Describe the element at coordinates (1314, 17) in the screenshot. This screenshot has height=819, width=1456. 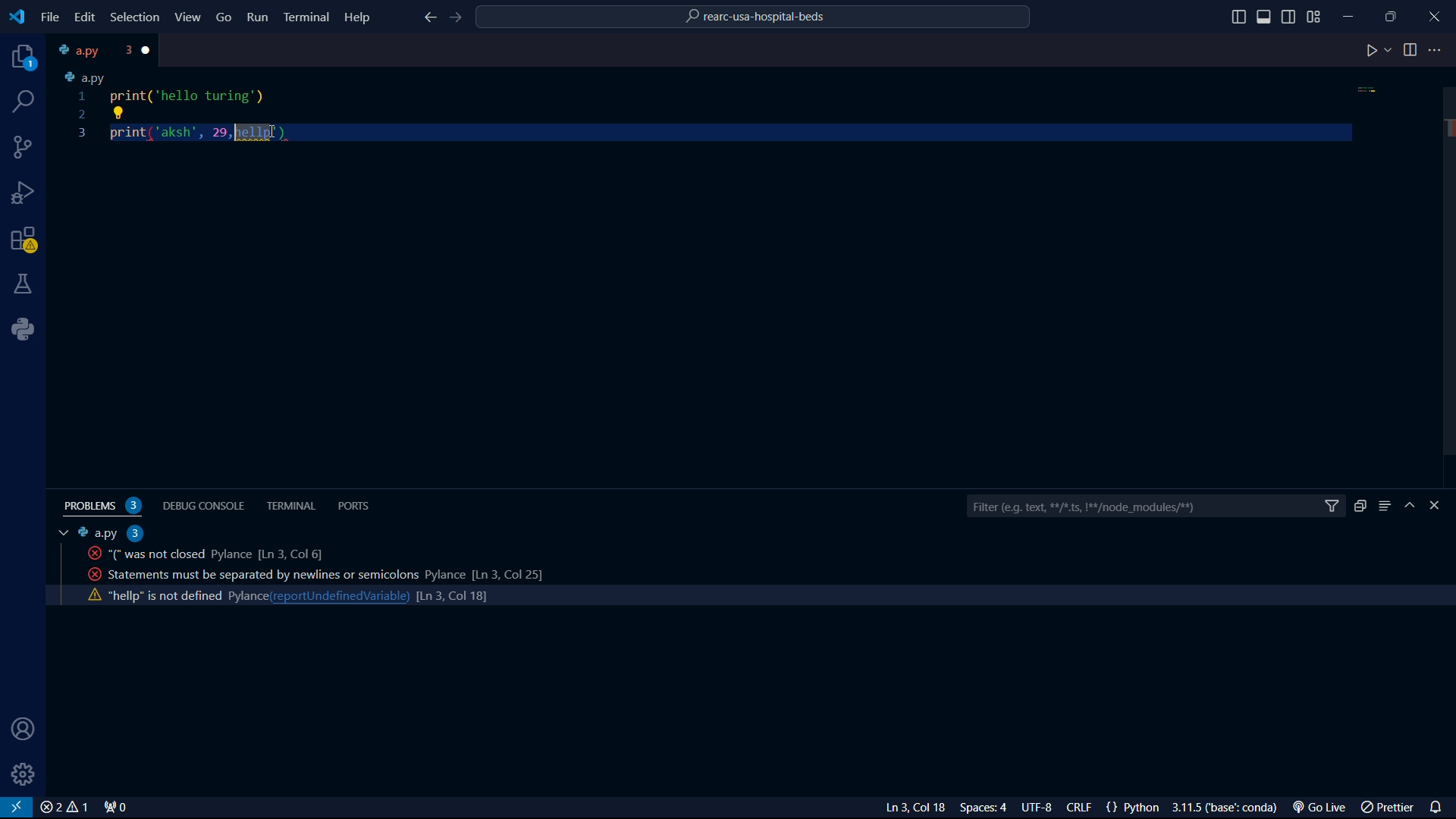
I see `grid view` at that location.